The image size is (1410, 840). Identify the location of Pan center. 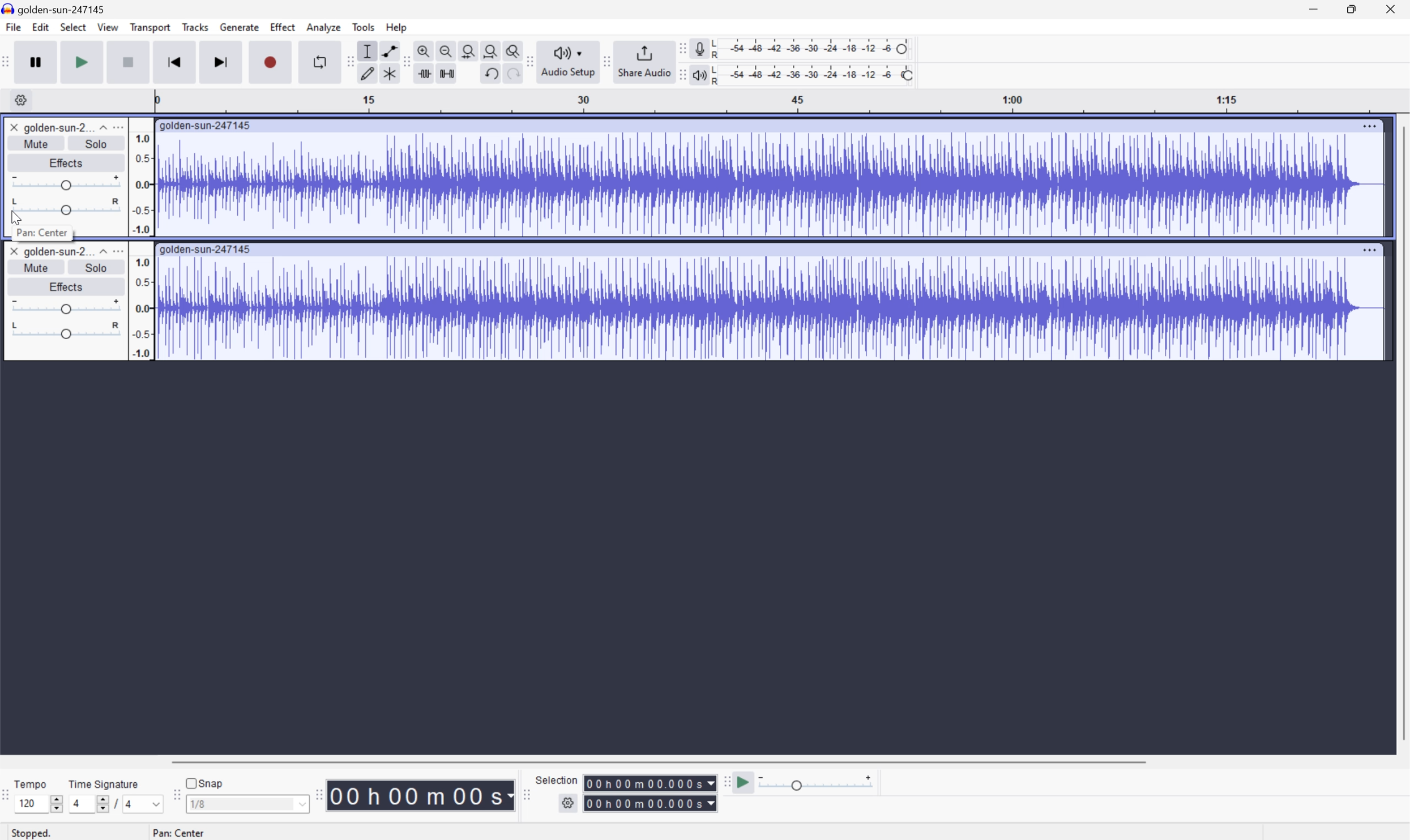
(42, 233).